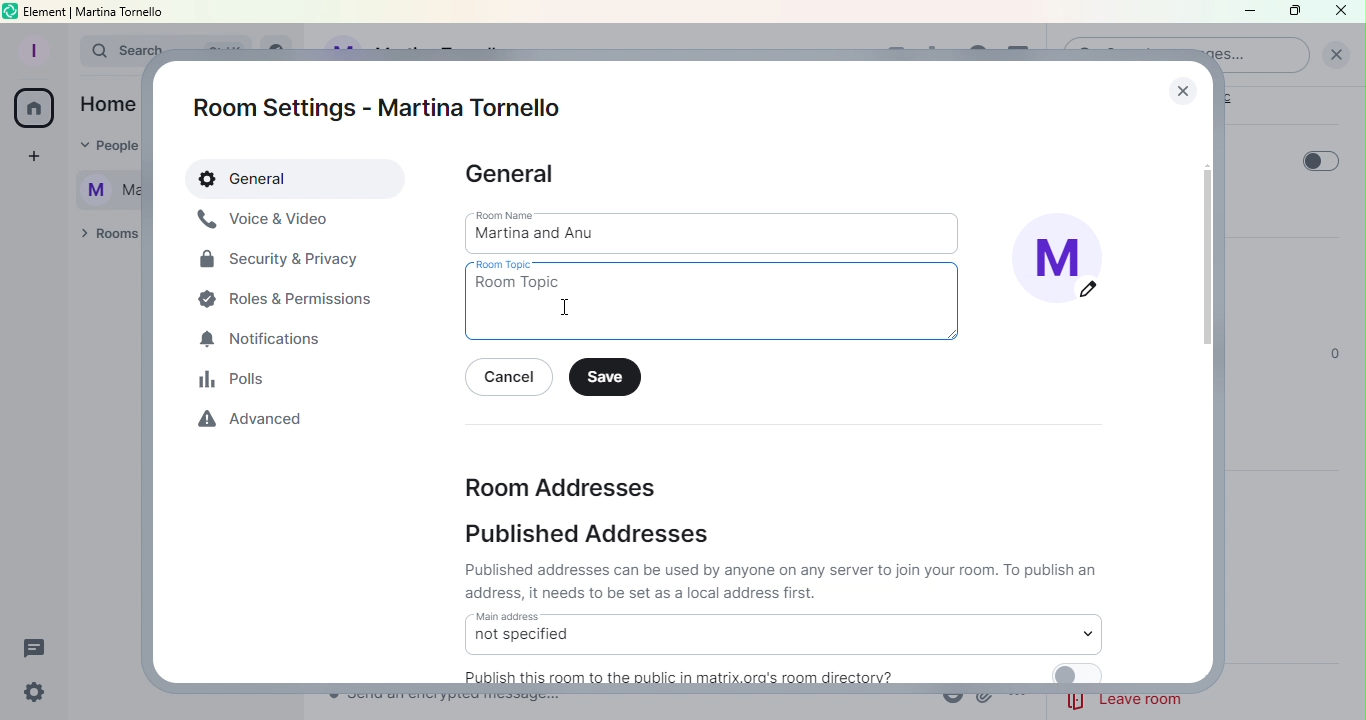  I want to click on Notification, so click(263, 341).